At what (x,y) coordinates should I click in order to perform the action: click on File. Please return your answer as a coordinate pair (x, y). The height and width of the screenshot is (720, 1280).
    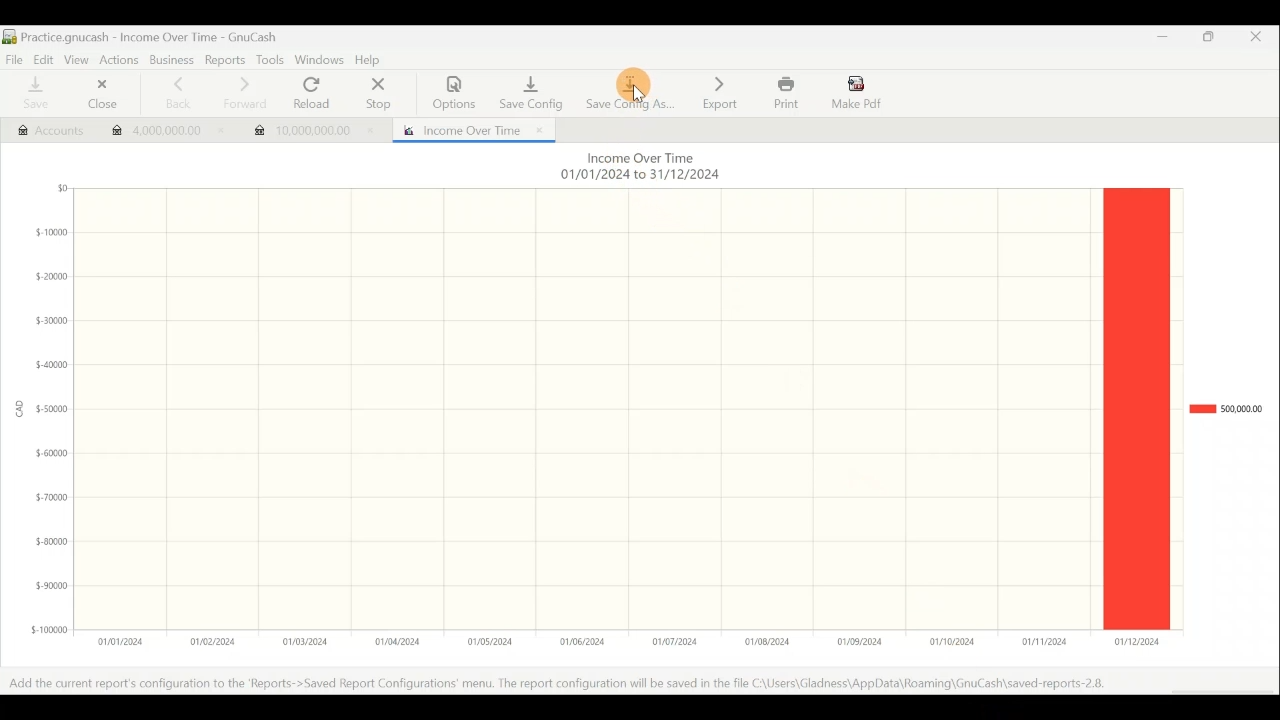
    Looking at the image, I should click on (14, 58).